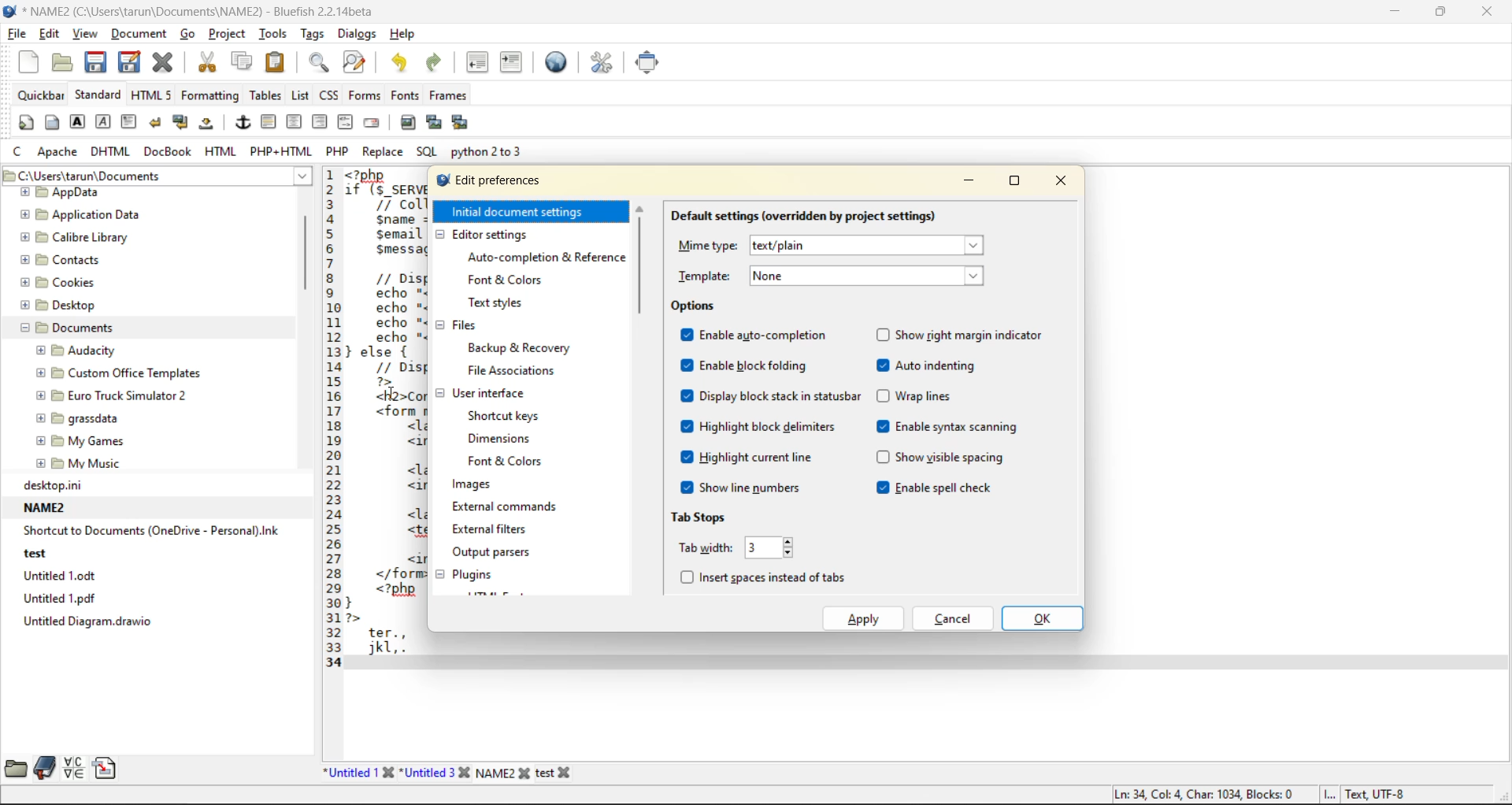 The height and width of the screenshot is (805, 1512). What do you see at coordinates (355, 61) in the screenshot?
I see `find and replace` at bounding box center [355, 61].